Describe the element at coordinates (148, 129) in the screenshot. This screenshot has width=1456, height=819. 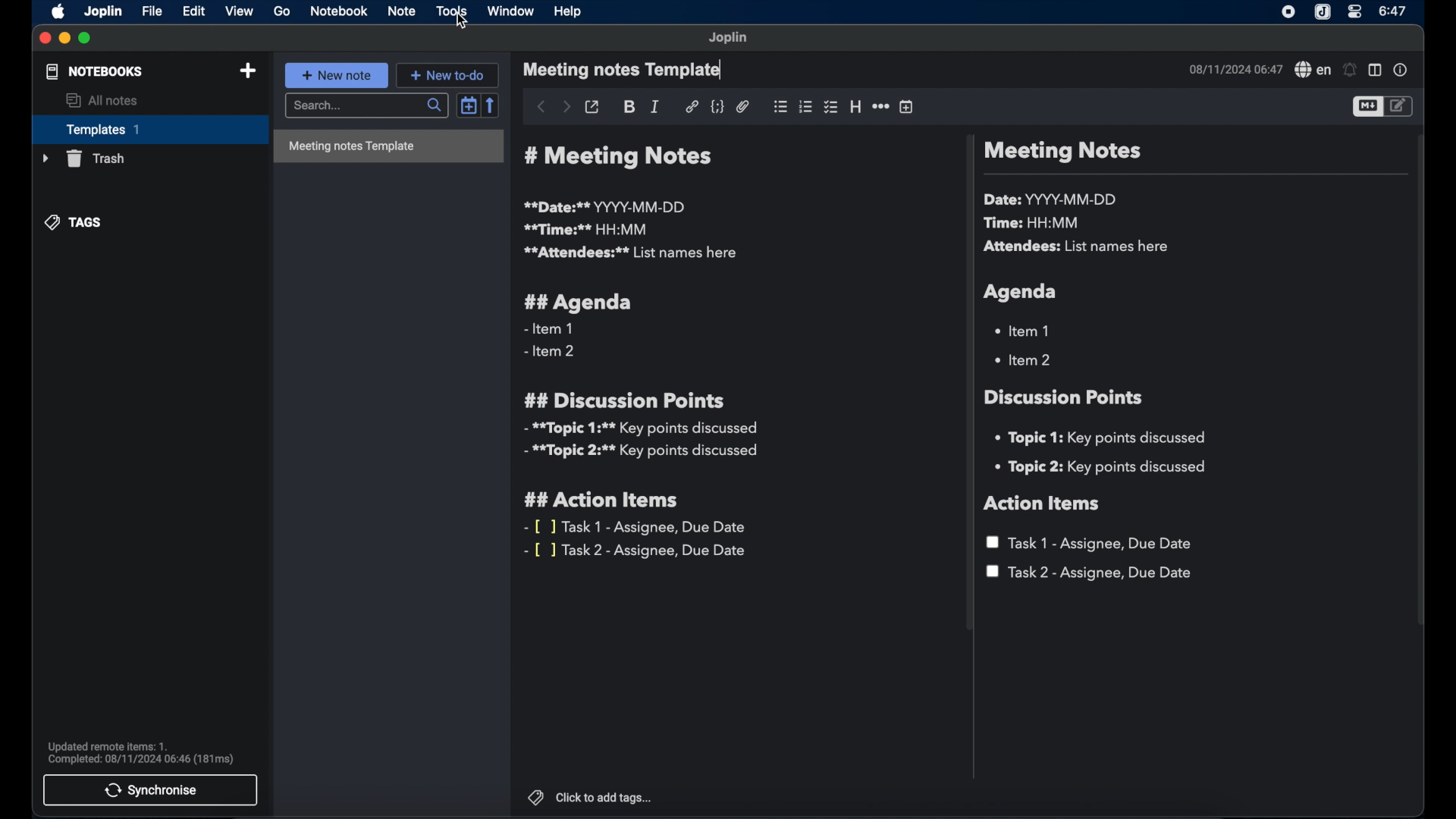
I see `templates 1` at that location.